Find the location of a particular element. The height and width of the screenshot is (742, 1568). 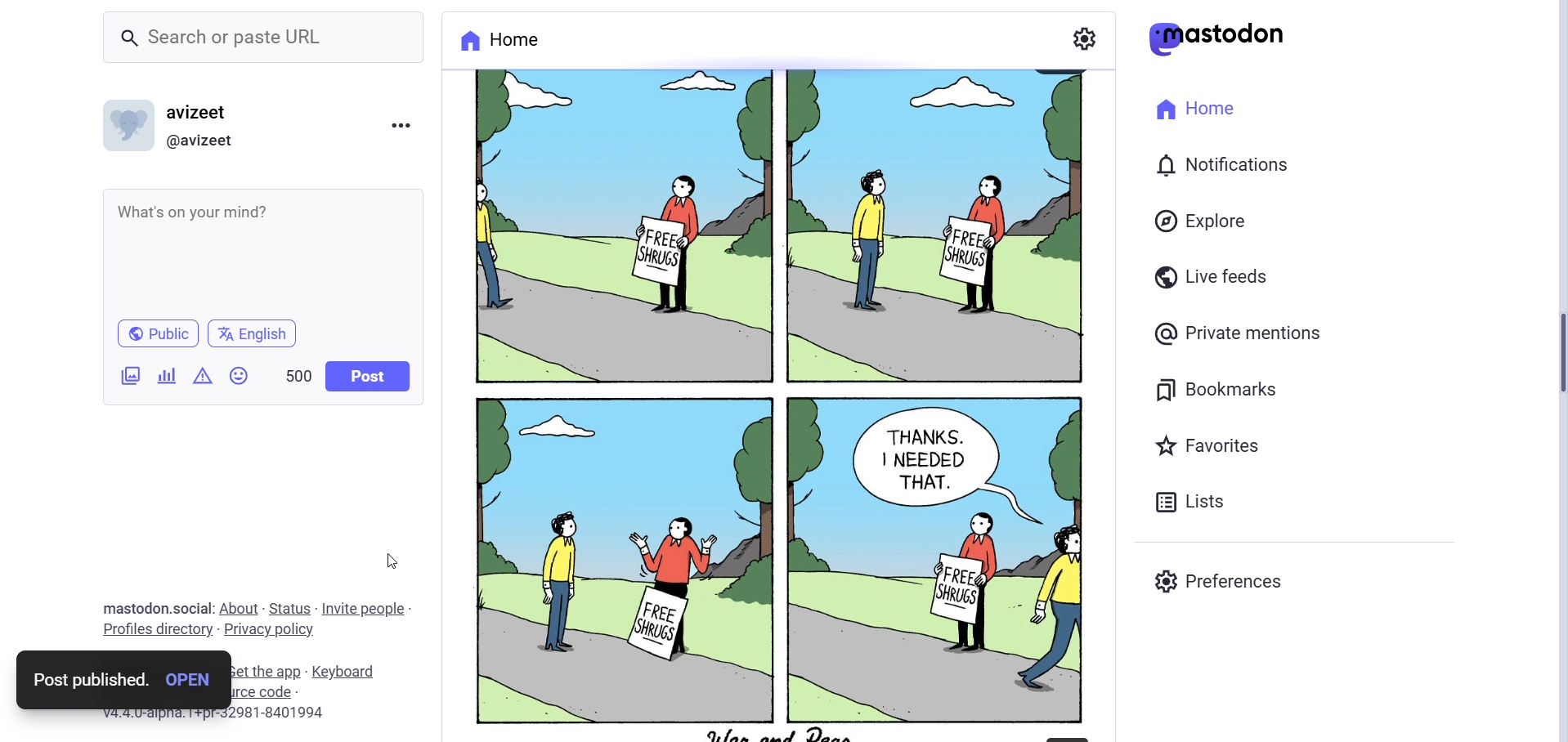

private Mentions is located at coordinates (1238, 335).